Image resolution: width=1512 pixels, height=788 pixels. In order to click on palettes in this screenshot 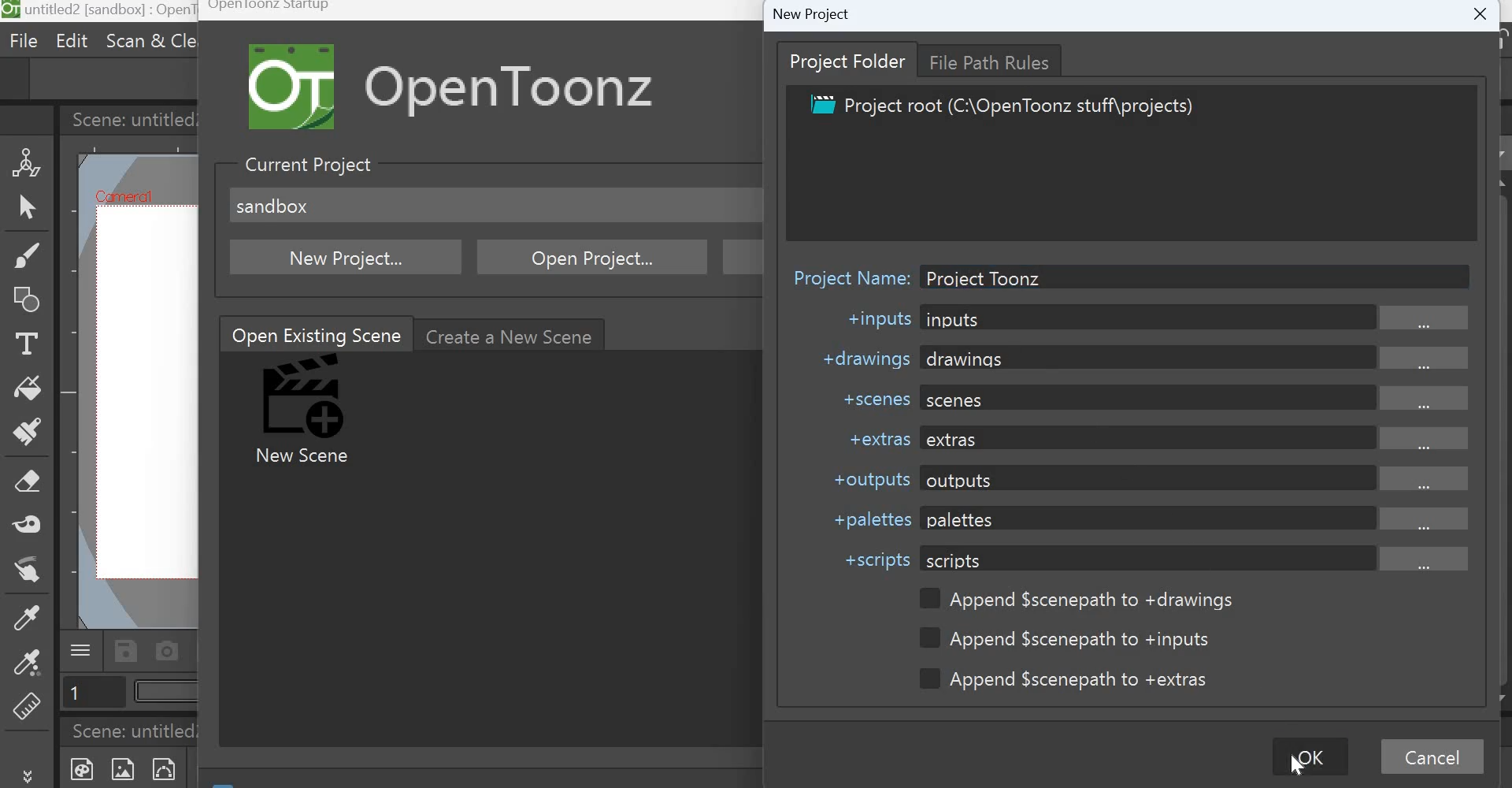, I will do `click(1197, 519)`.